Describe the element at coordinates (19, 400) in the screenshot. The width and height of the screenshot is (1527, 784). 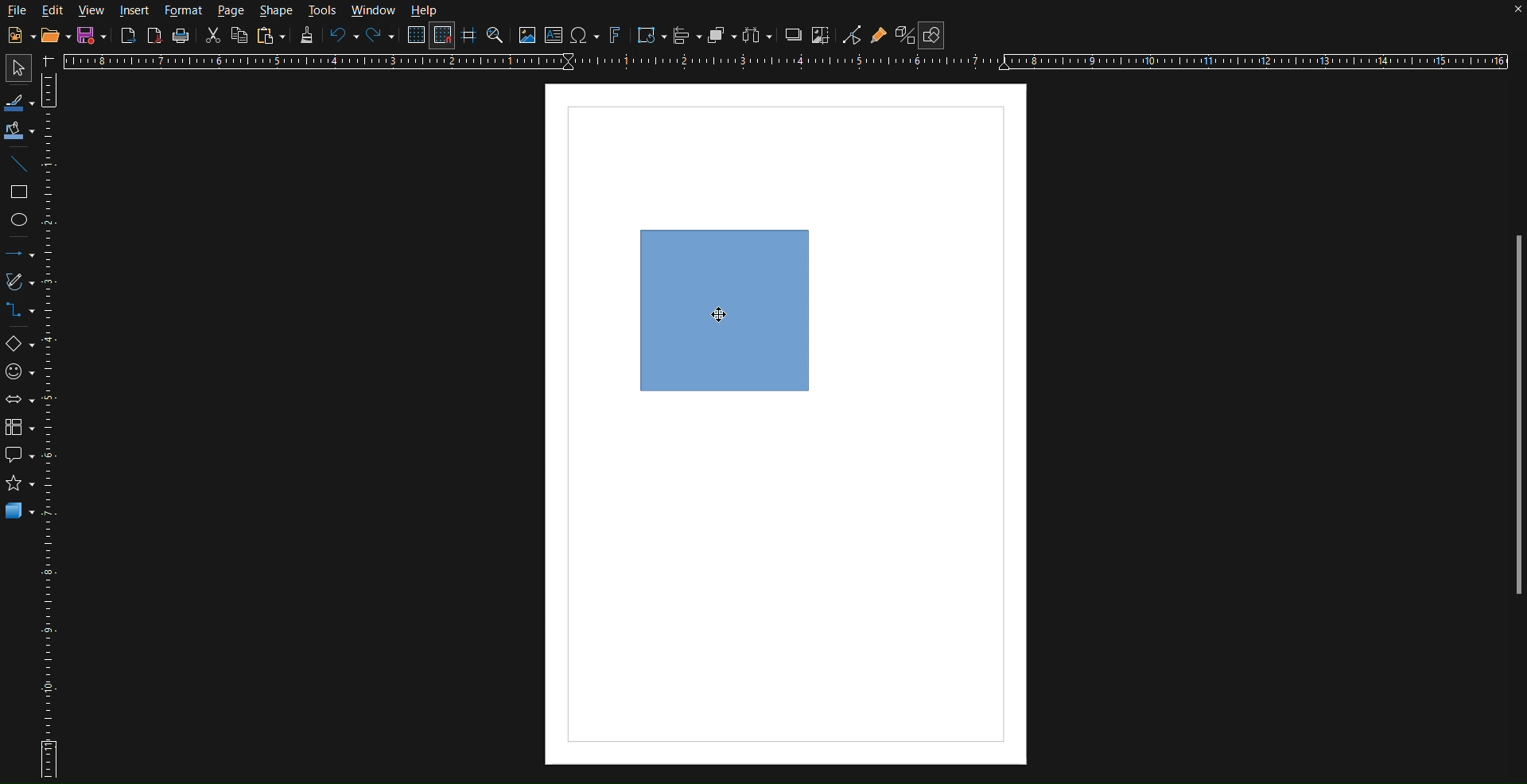
I see `Block Arrows` at that location.